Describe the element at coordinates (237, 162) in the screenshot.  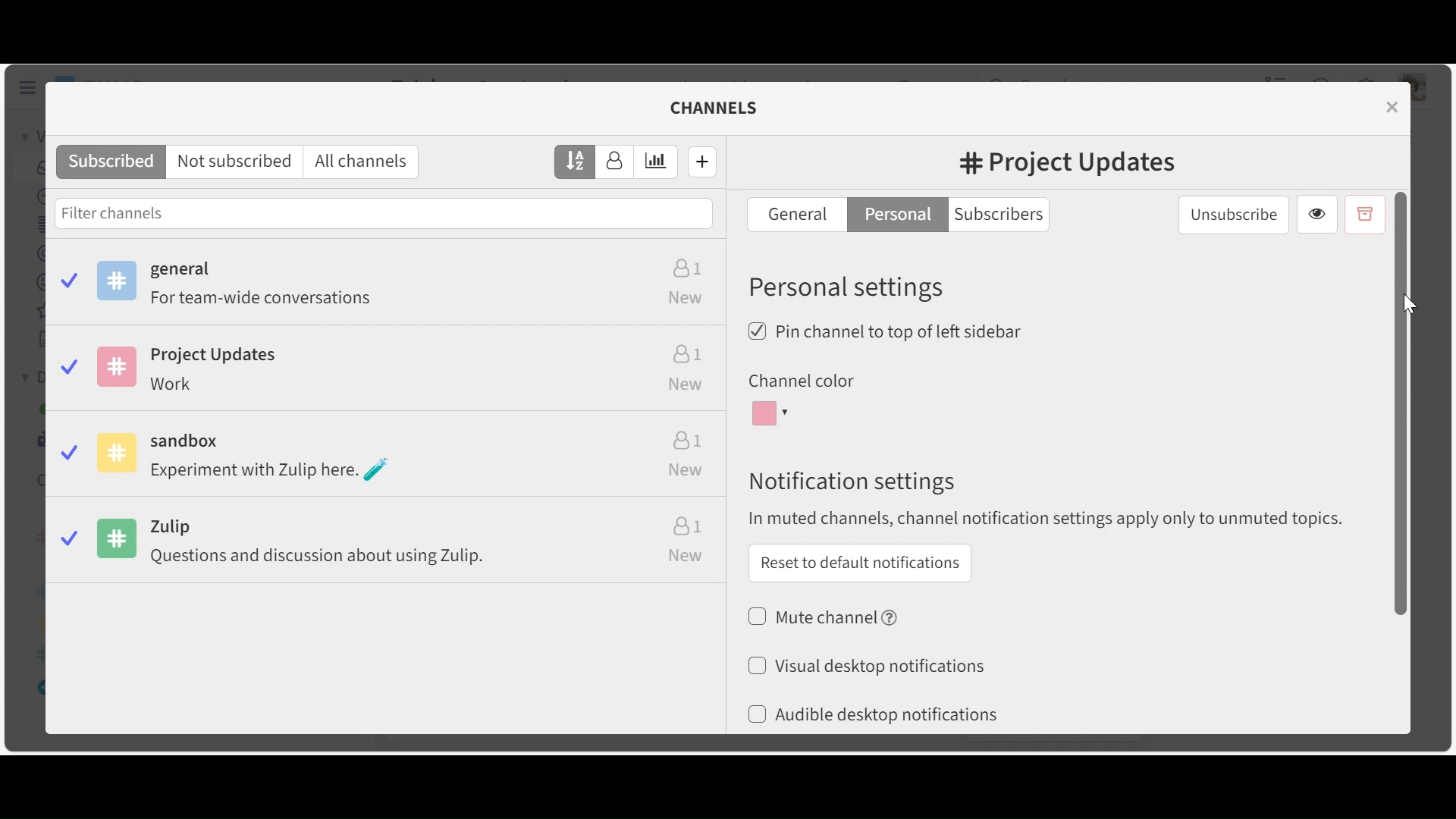
I see `Not subscribed` at that location.